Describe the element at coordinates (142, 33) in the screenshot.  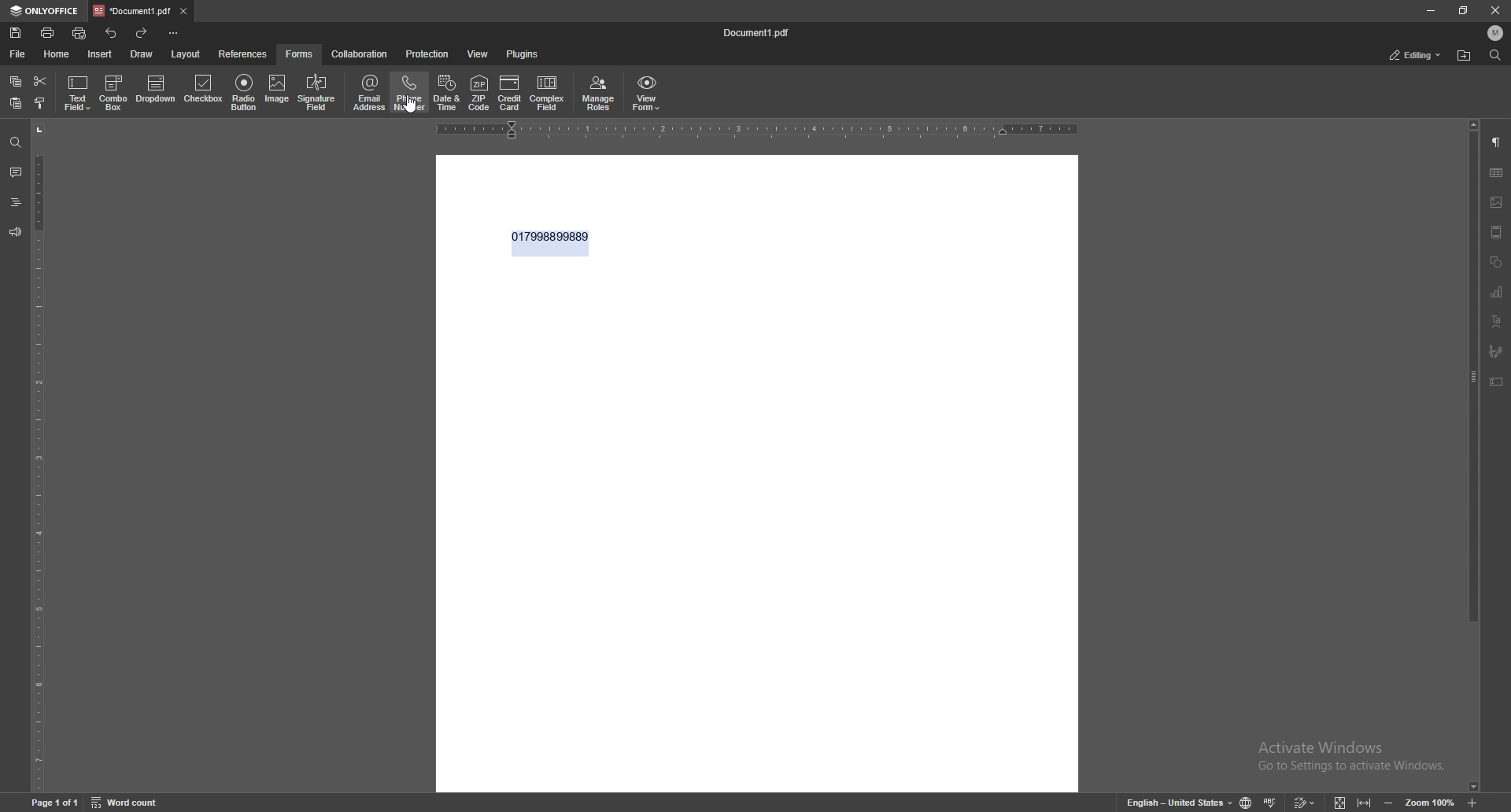
I see `redo` at that location.